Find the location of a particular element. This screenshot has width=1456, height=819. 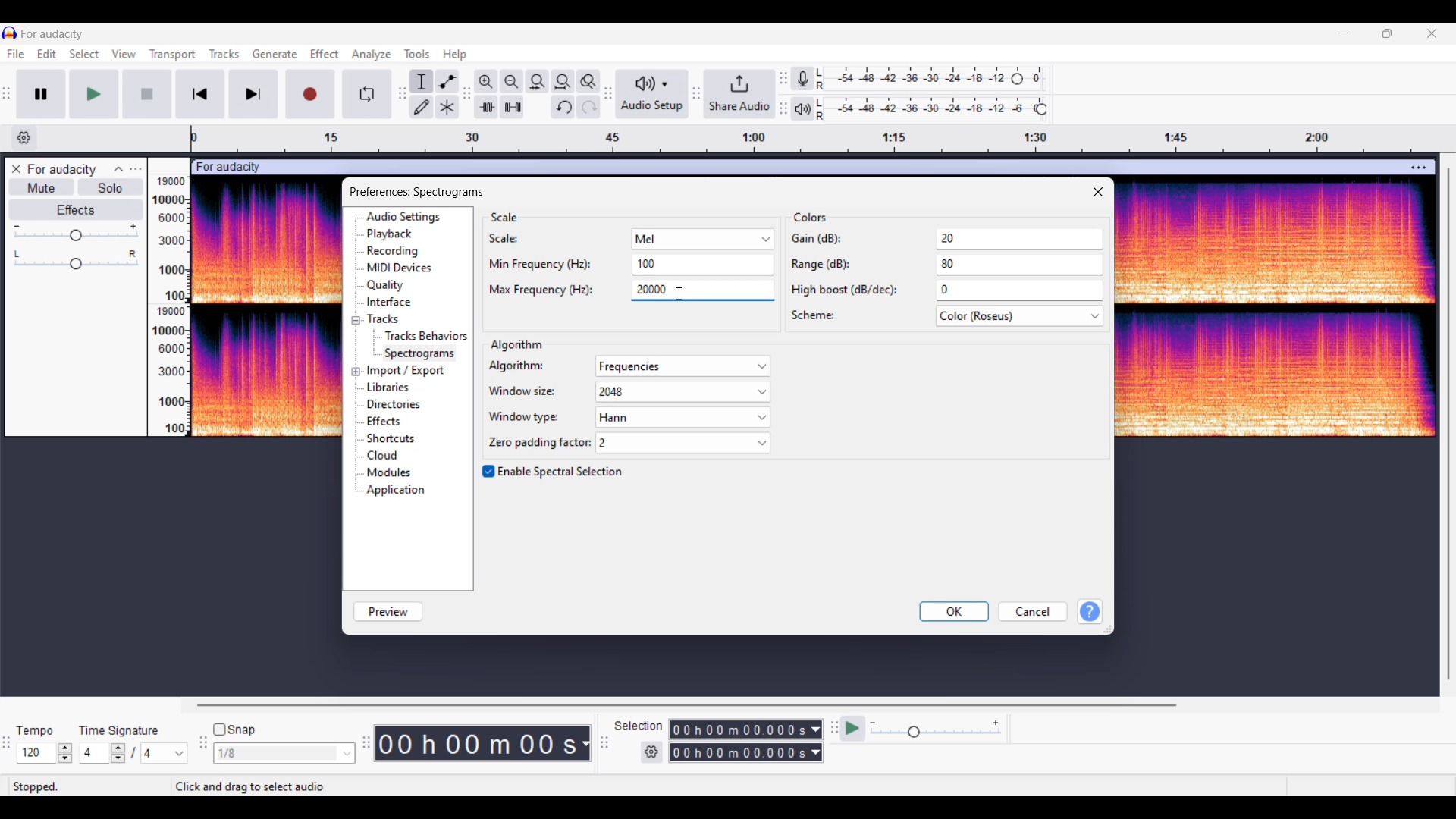

algorithm is located at coordinates (628, 367).